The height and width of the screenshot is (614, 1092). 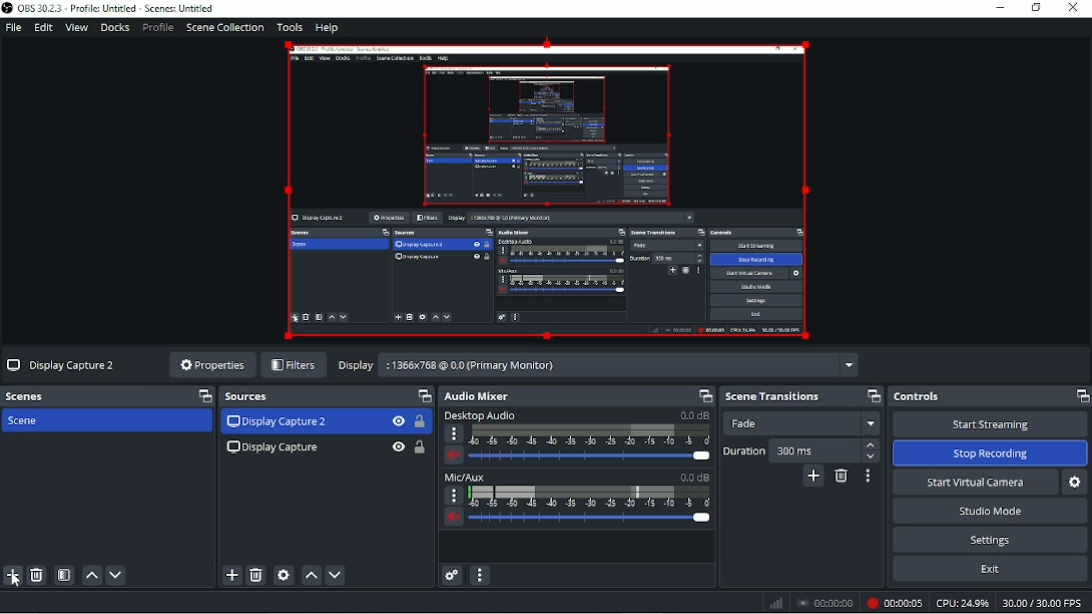 I want to click on Maximize, so click(x=1081, y=399).